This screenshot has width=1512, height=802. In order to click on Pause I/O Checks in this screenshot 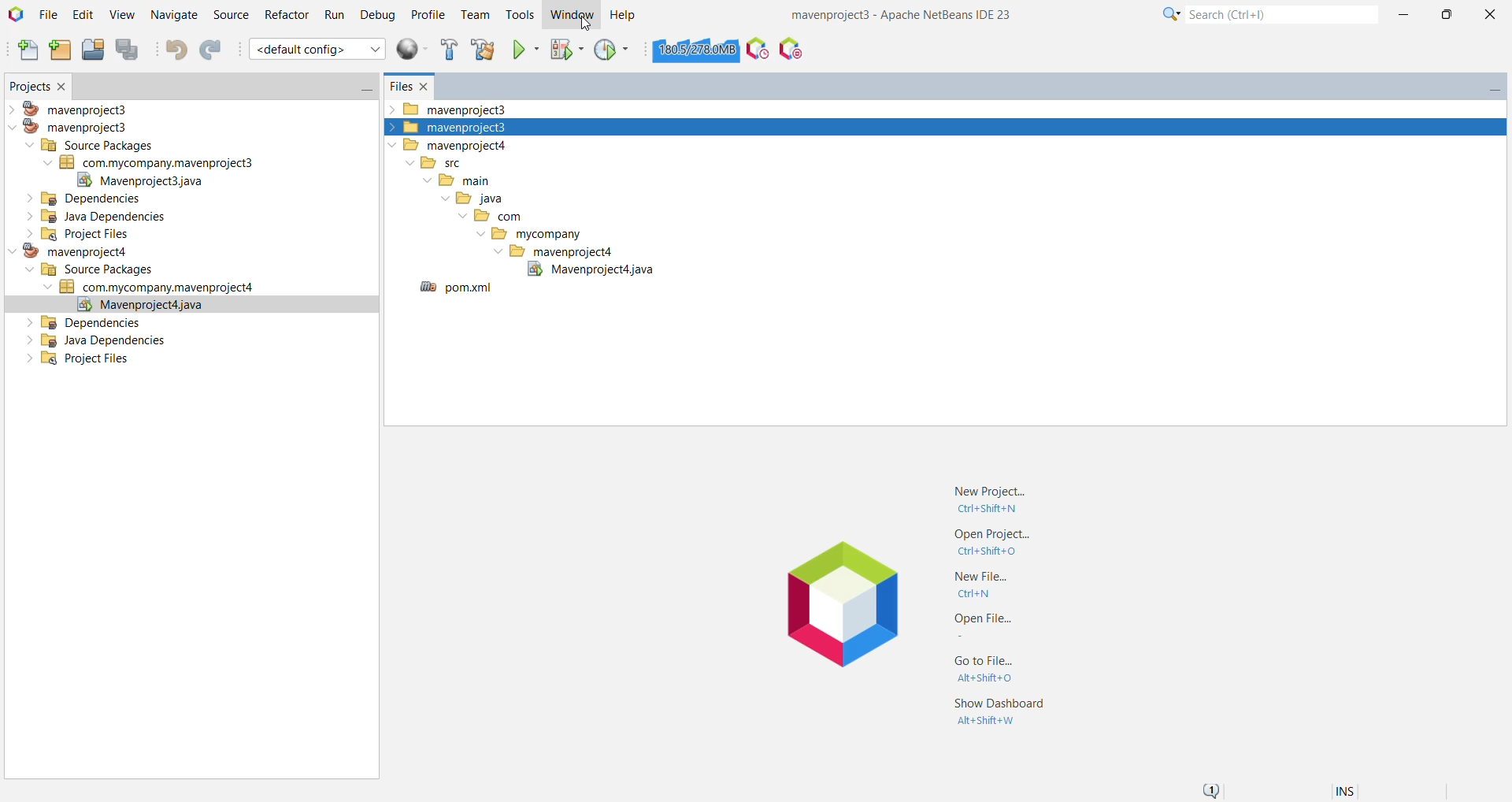, I will do `click(791, 50)`.